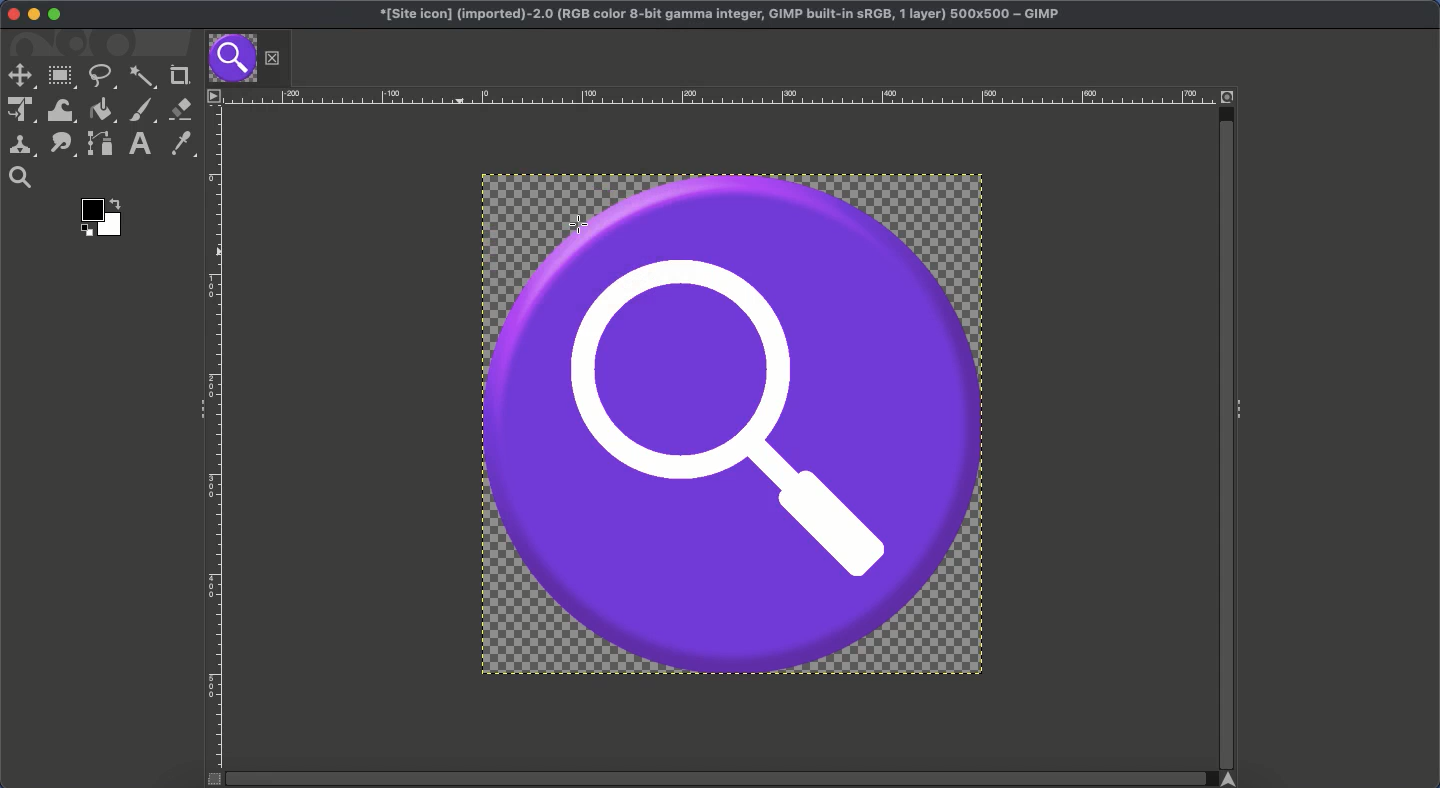 This screenshot has height=788, width=1440. What do you see at coordinates (724, 96) in the screenshot?
I see `Ruler` at bounding box center [724, 96].